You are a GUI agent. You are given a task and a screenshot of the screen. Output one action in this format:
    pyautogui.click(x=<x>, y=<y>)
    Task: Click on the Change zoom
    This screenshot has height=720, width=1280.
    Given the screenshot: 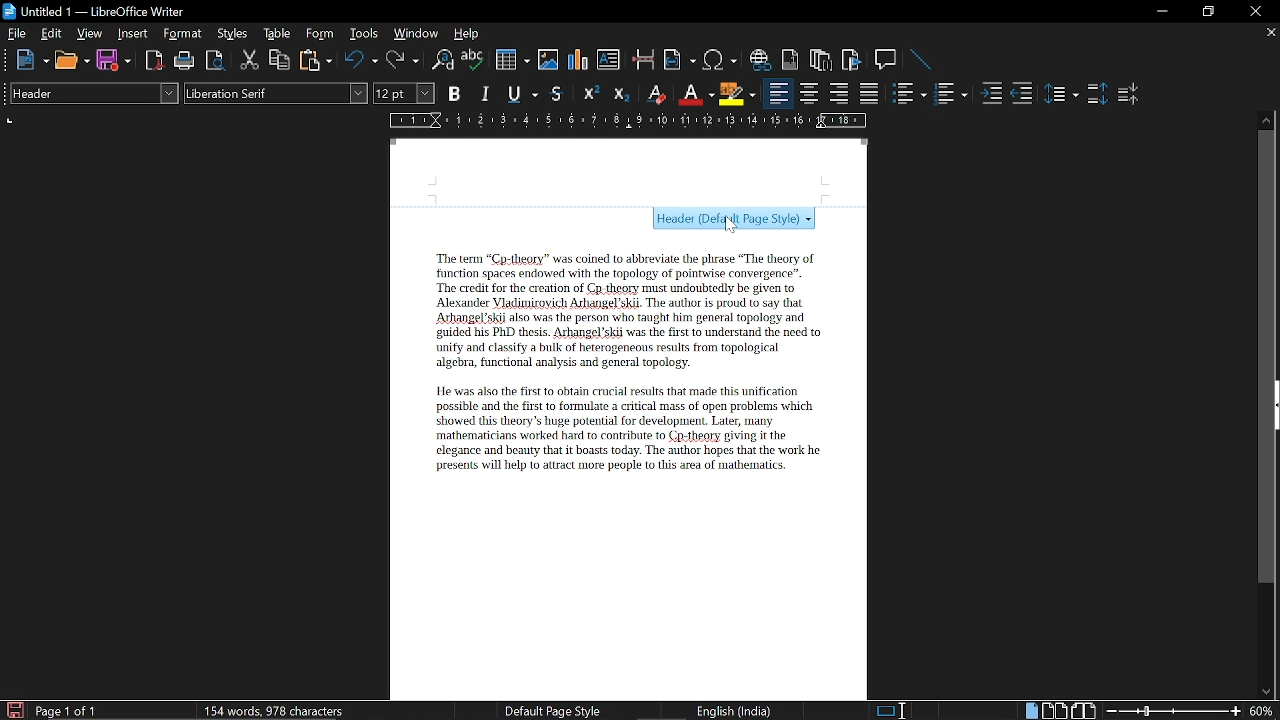 What is the action you would take?
    pyautogui.click(x=1174, y=711)
    